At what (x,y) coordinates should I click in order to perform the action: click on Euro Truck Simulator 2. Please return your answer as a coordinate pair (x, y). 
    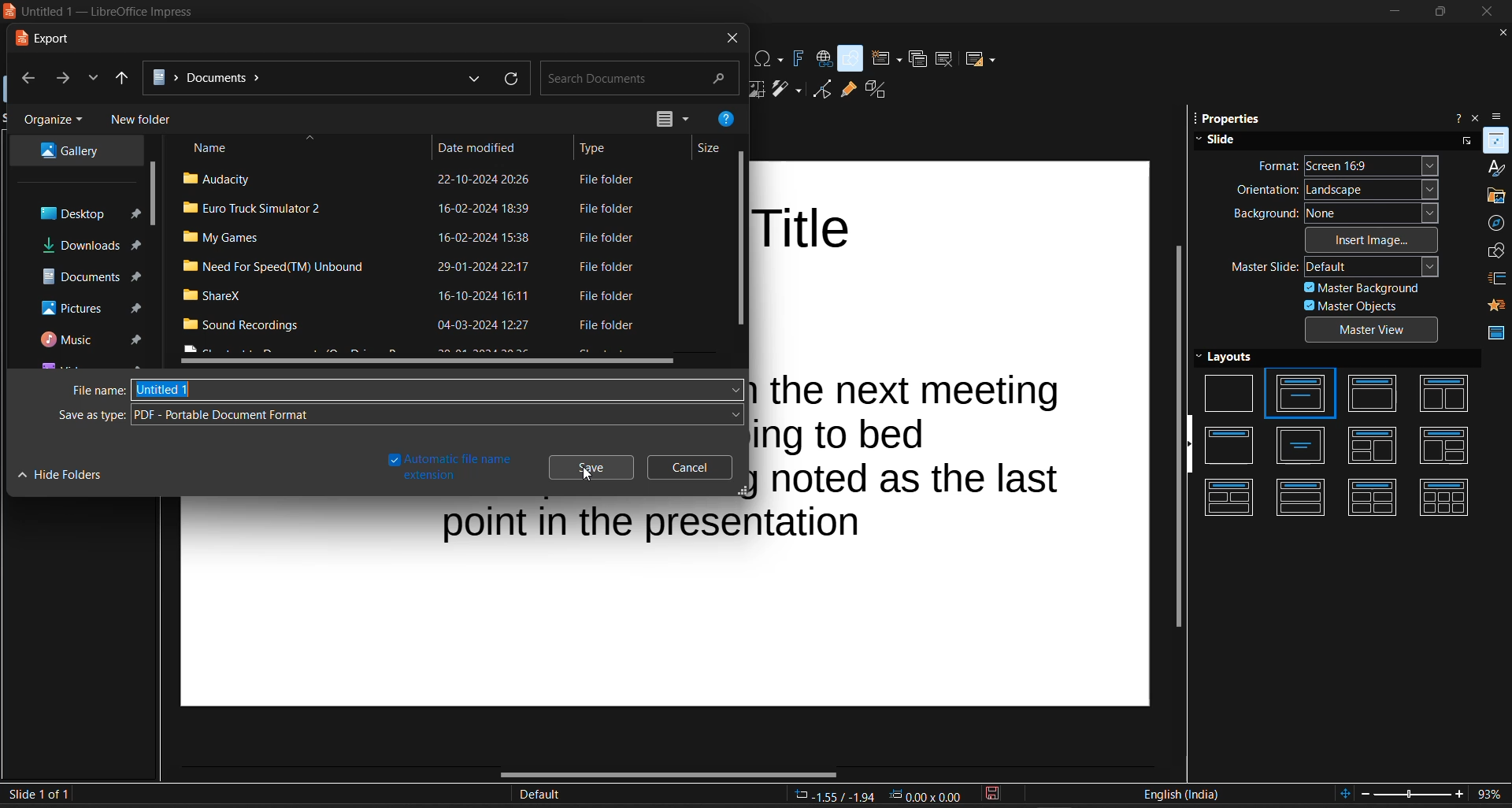
    Looking at the image, I should click on (249, 209).